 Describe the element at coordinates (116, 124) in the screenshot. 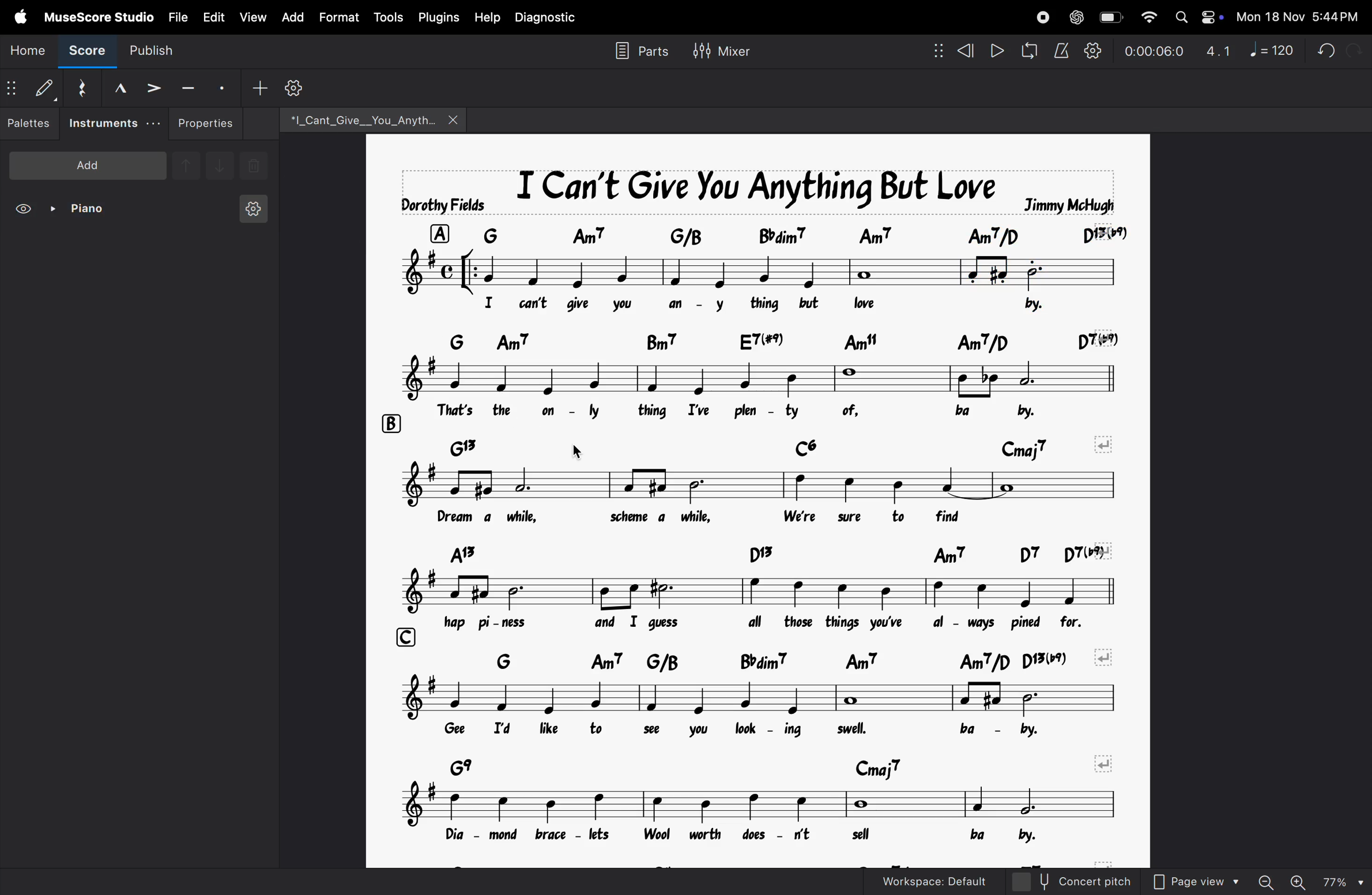

I see `instruments` at that location.